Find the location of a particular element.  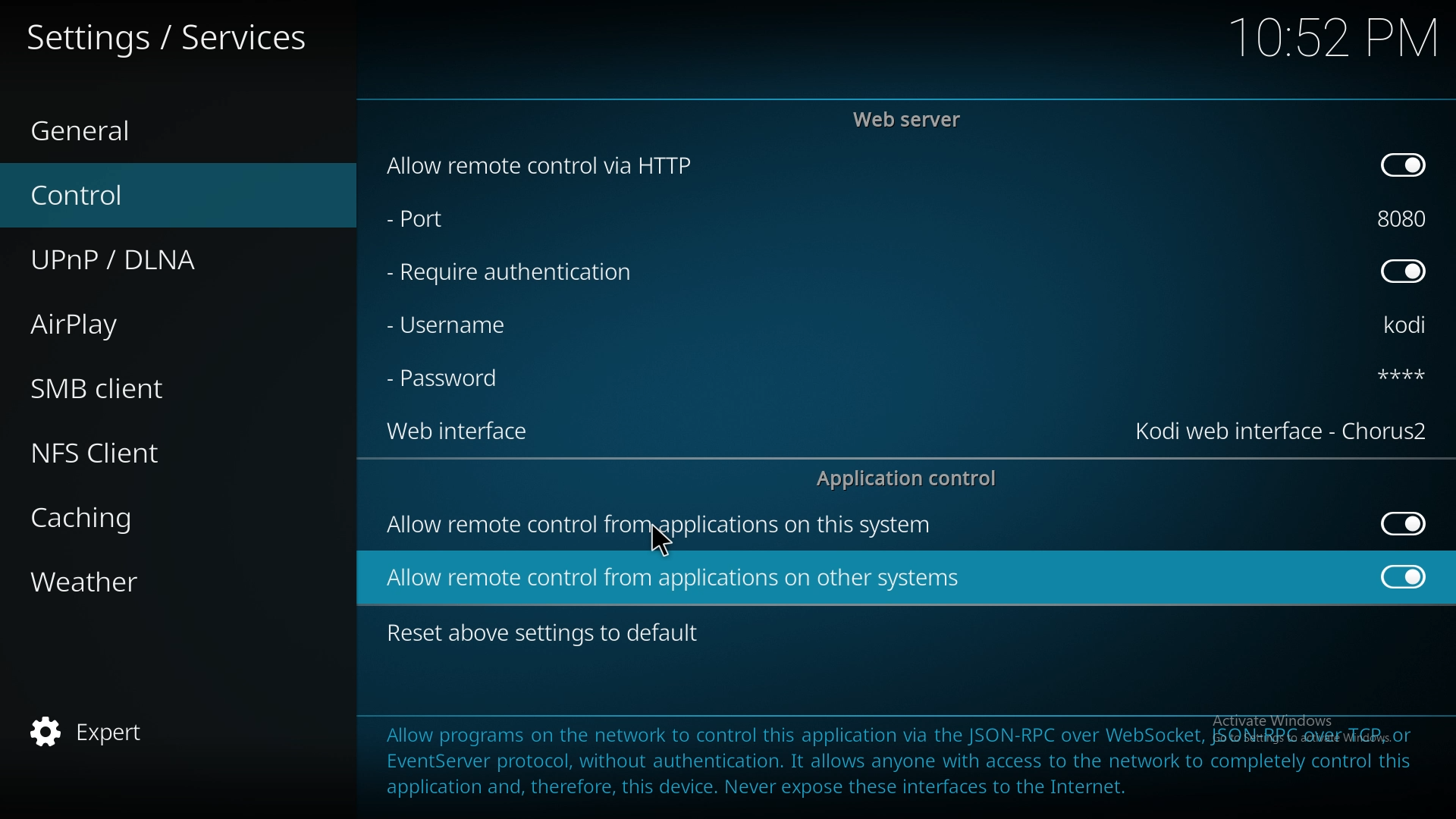

control is located at coordinates (155, 196).